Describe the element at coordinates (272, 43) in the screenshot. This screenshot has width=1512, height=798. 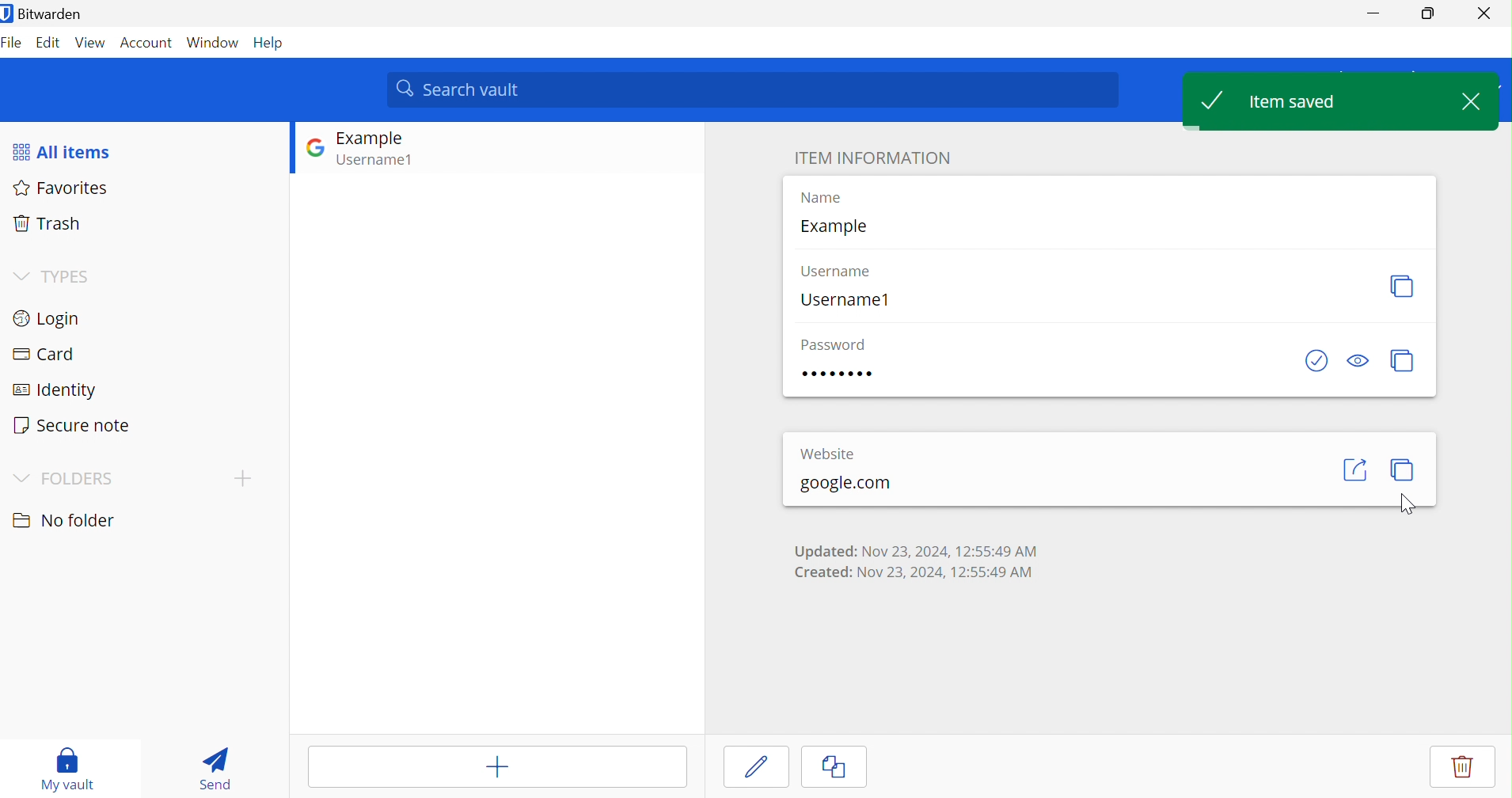
I see `Help` at that location.